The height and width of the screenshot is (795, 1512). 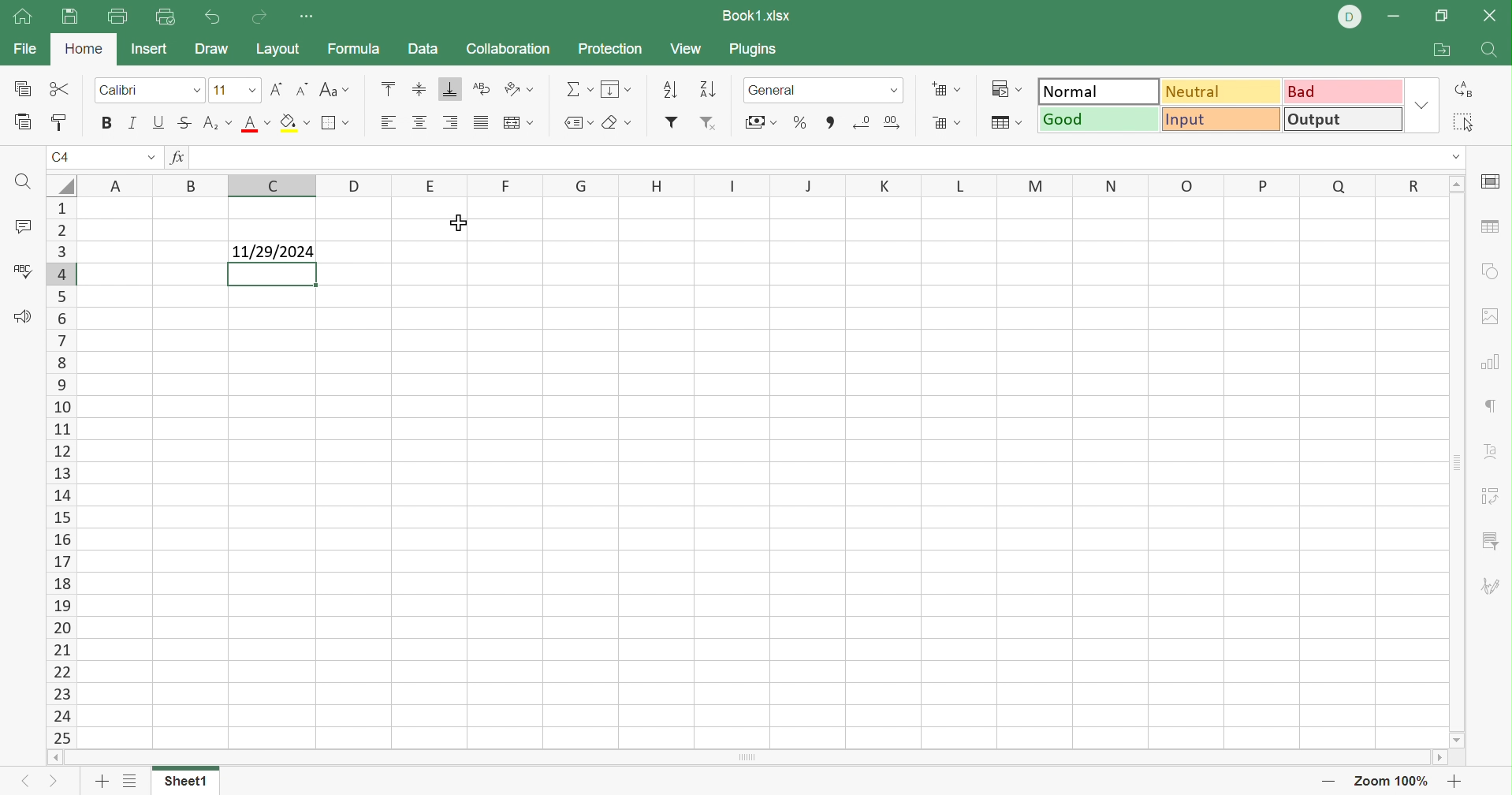 What do you see at coordinates (274, 90) in the screenshot?
I see `Increment font size` at bounding box center [274, 90].